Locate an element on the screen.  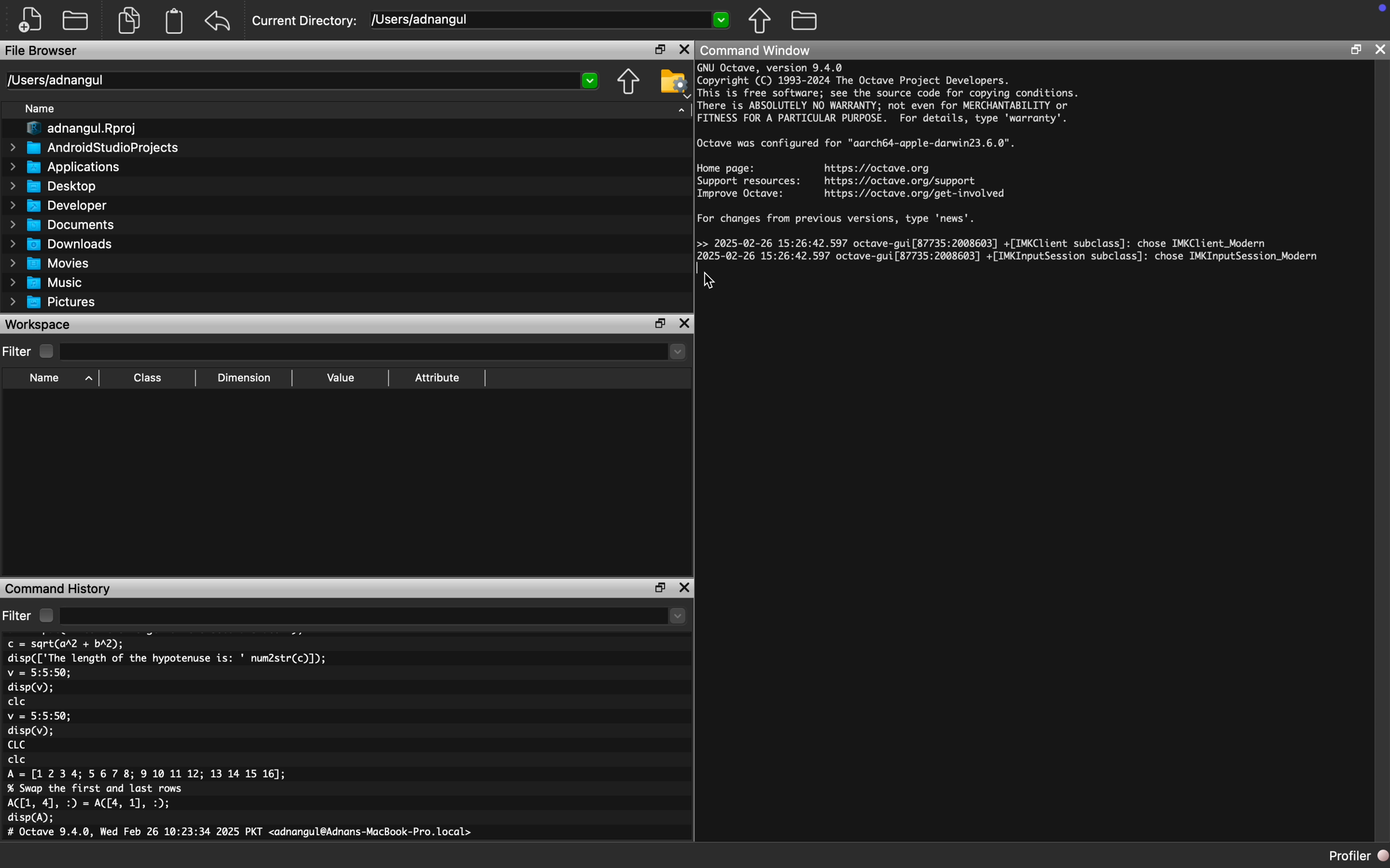
Developer is located at coordinates (57, 205).